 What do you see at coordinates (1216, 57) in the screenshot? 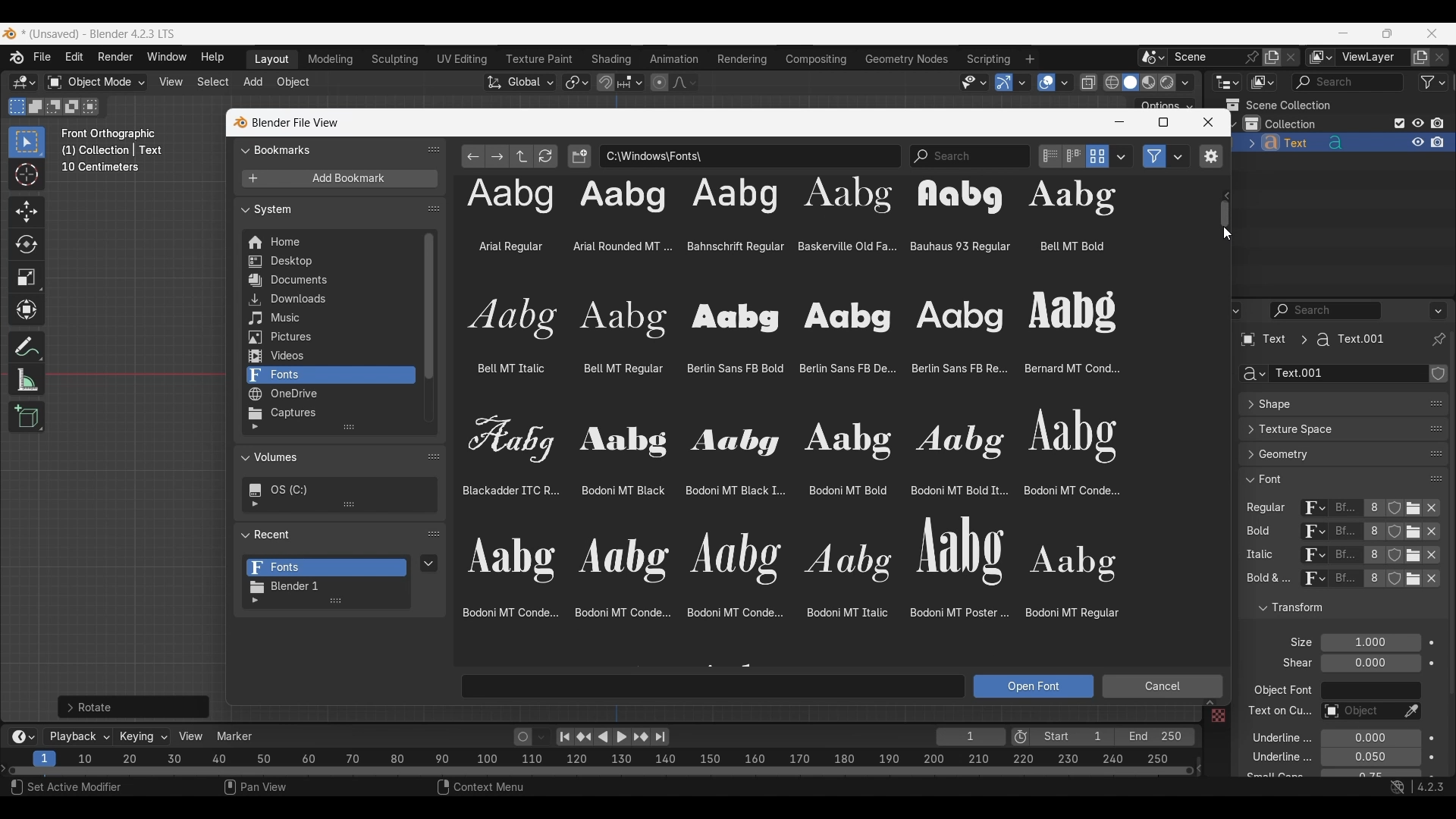
I see `Pin scene to workspace` at bounding box center [1216, 57].